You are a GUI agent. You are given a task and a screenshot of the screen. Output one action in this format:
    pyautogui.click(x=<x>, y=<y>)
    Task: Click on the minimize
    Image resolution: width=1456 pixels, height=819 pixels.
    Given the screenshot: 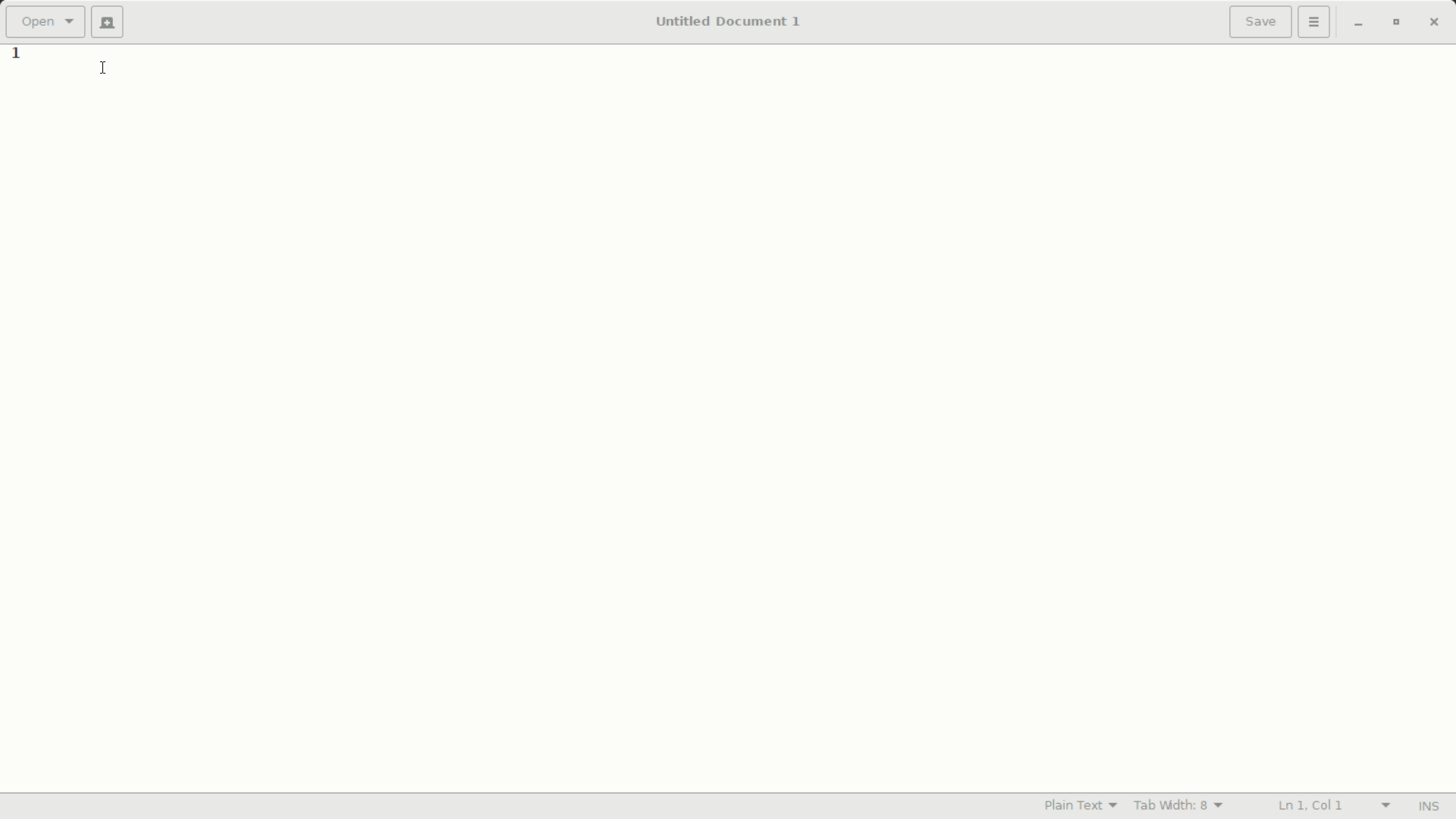 What is the action you would take?
    pyautogui.click(x=1358, y=24)
    